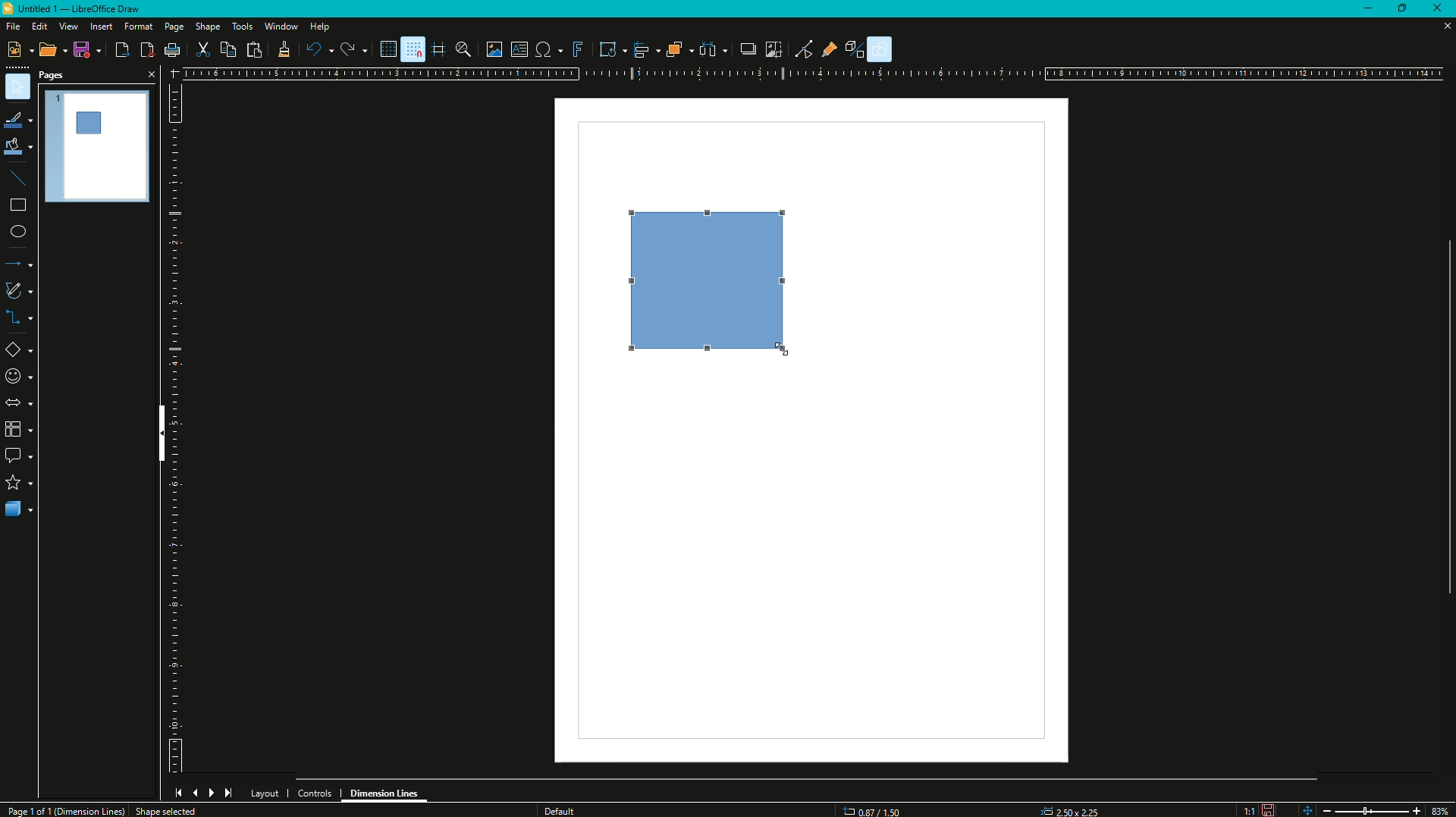  What do you see at coordinates (19, 511) in the screenshot?
I see `3D Objects` at bounding box center [19, 511].